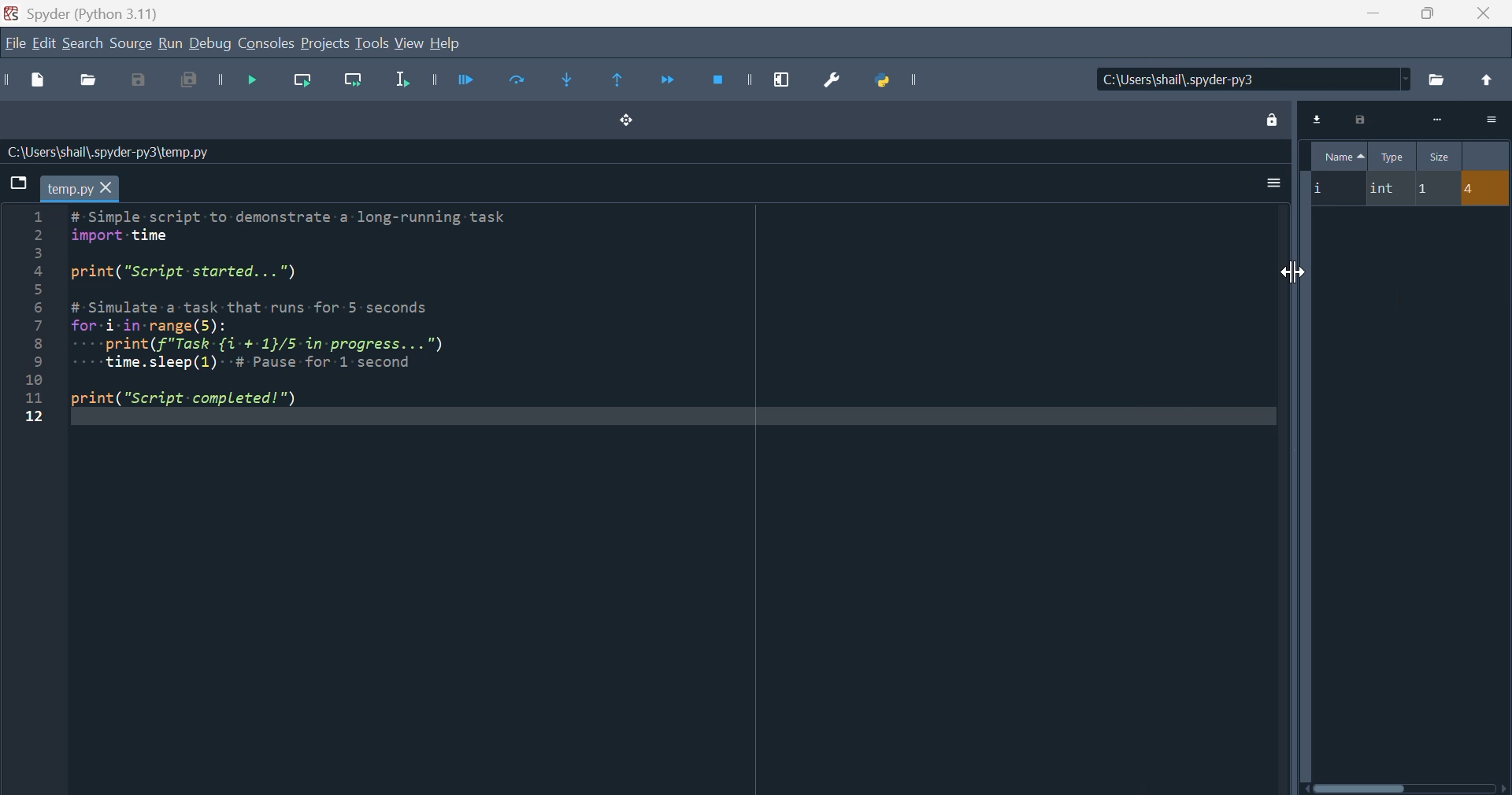 The height and width of the screenshot is (795, 1512). Describe the element at coordinates (1340, 155) in the screenshot. I see `Name` at that location.